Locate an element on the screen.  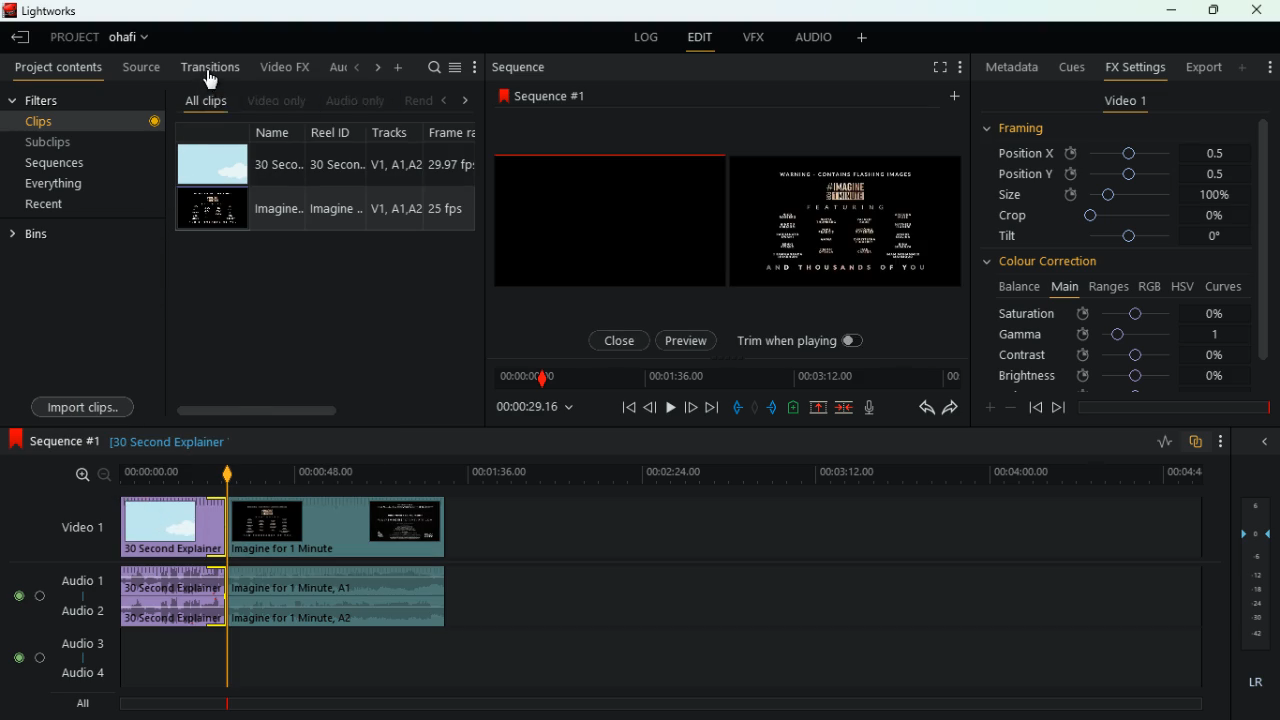
video fx is located at coordinates (282, 68).